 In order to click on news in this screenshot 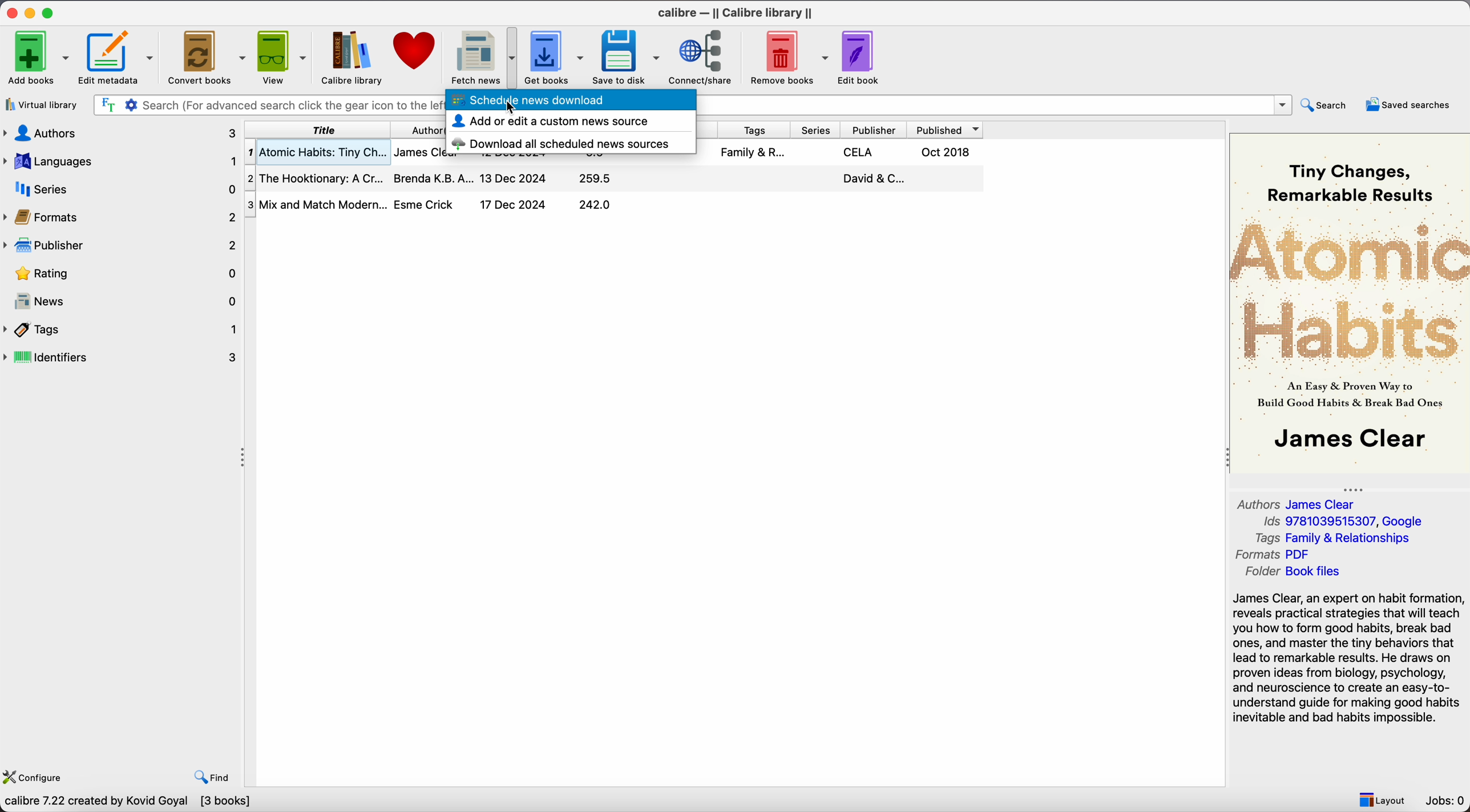, I will do `click(122, 298)`.